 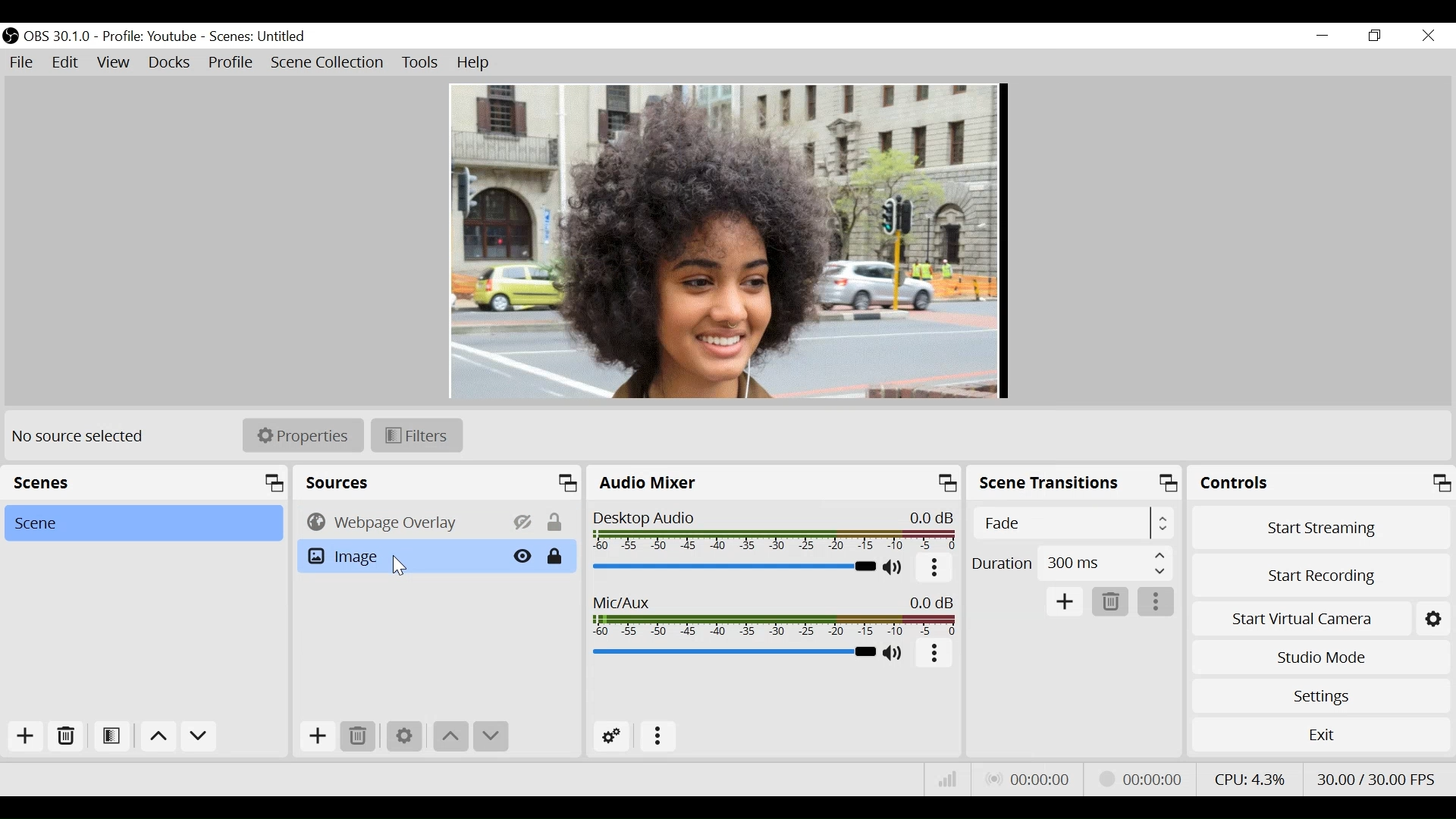 What do you see at coordinates (1320, 658) in the screenshot?
I see `Studio Mode` at bounding box center [1320, 658].